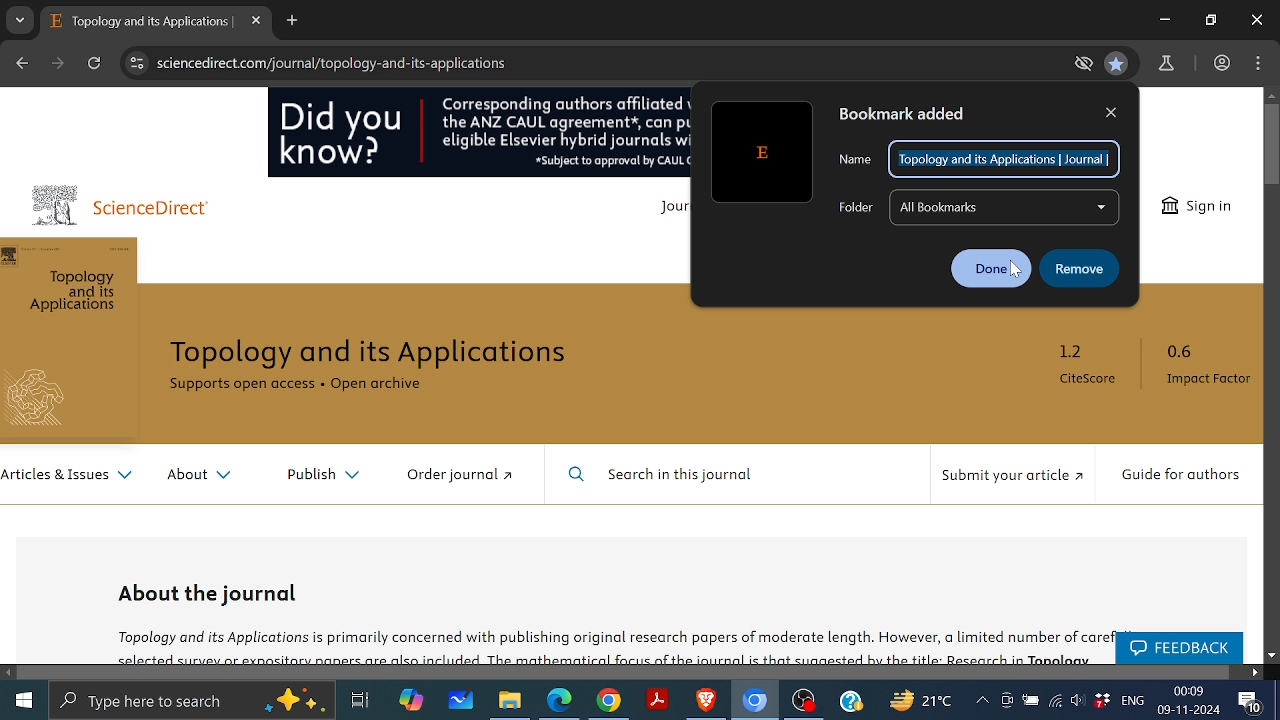 The width and height of the screenshot is (1280, 720). Describe the element at coordinates (255, 21) in the screenshot. I see `Close current tab` at that location.